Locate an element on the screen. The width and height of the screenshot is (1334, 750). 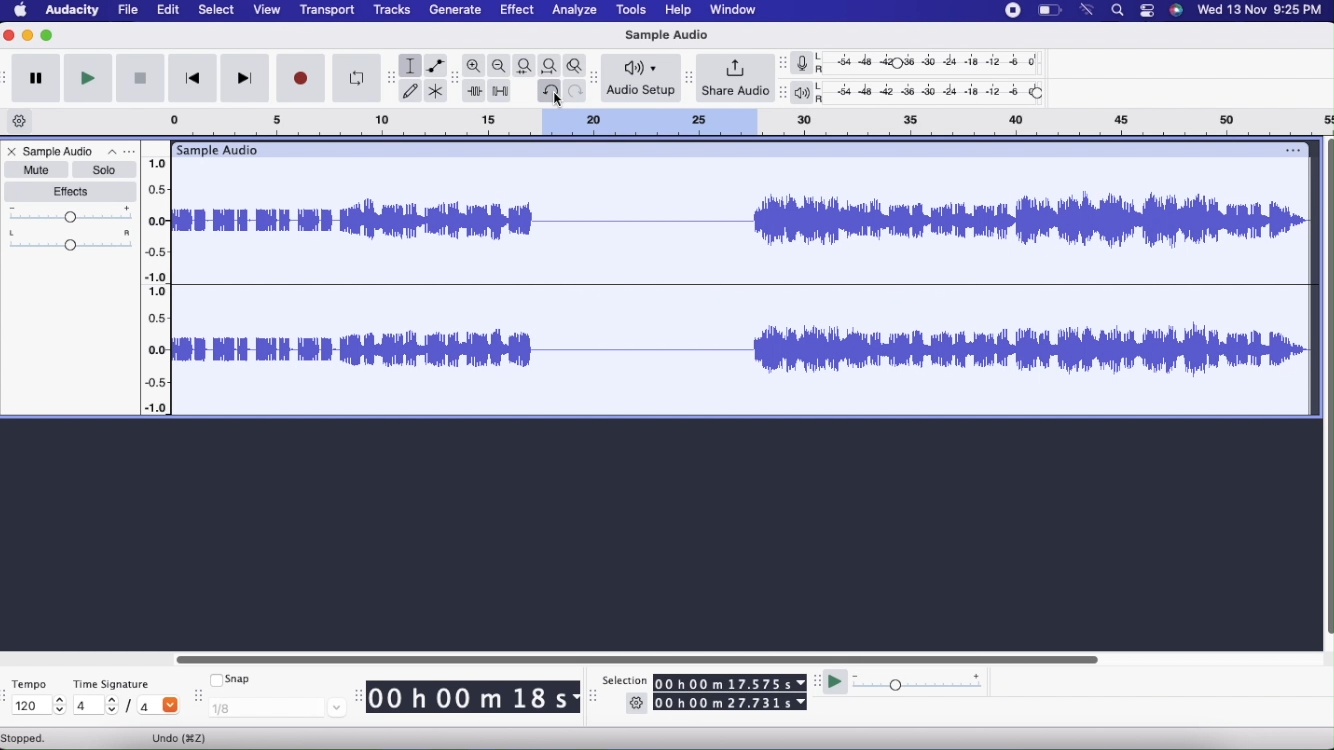
options is located at coordinates (1292, 150).